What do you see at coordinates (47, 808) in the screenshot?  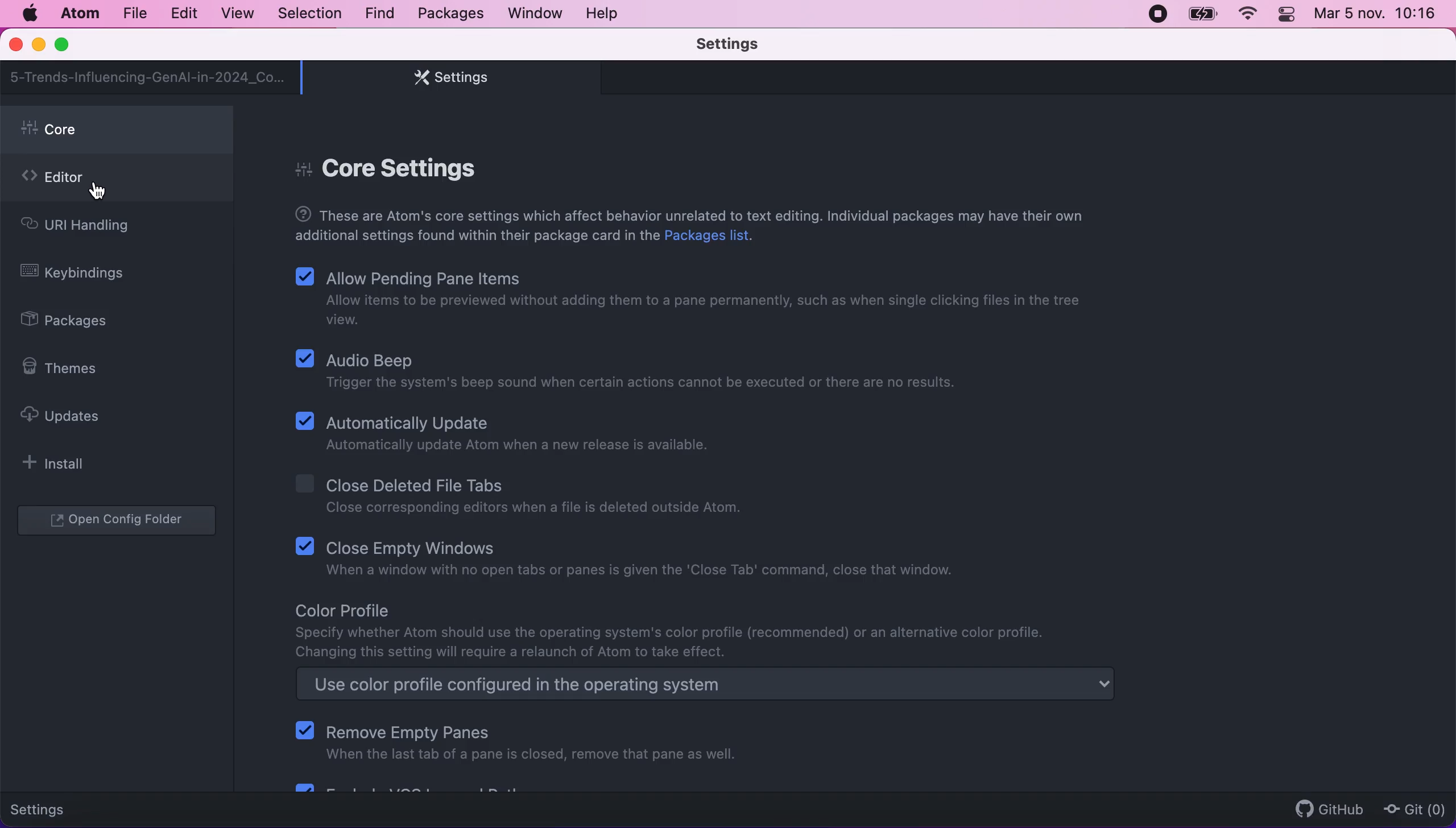 I see `settings` at bounding box center [47, 808].